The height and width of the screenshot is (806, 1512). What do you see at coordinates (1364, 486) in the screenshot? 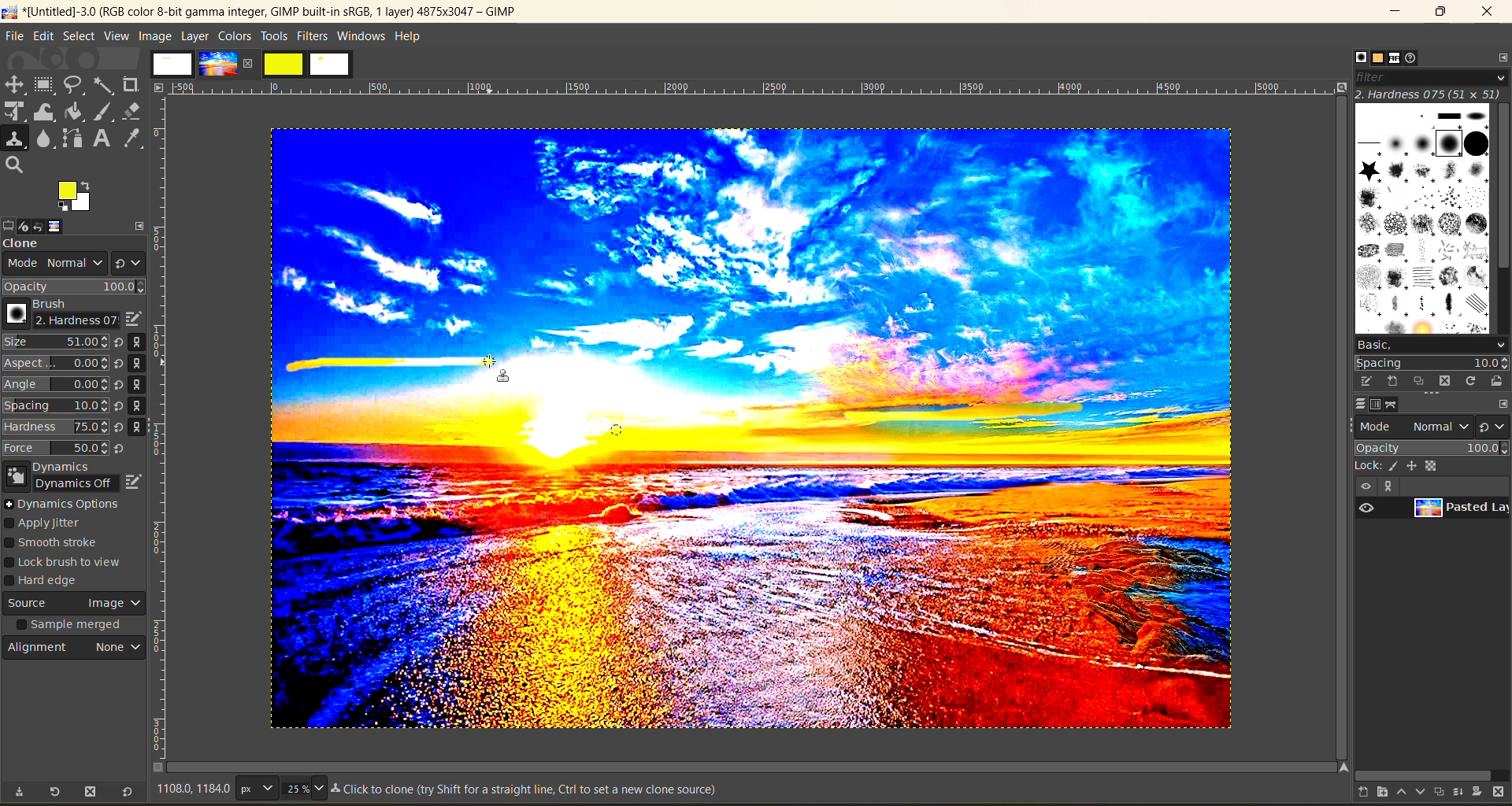
I see `view` at bounding box center [1364, 486].